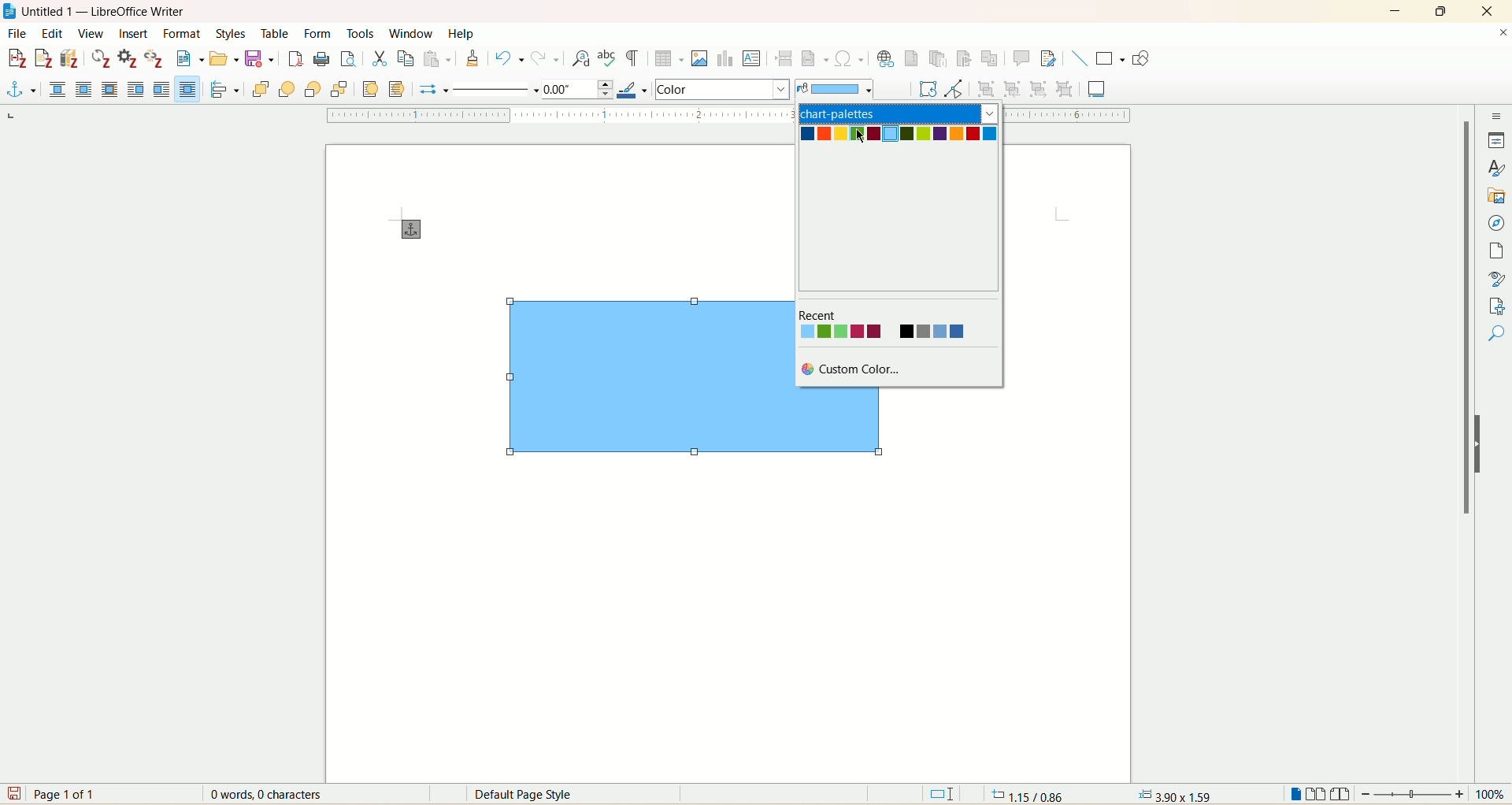 The image size is (1512, 805). What do you see at coordinates (580, 58) in the screenshot?
I see `find and replace` at bounding box center [580, 58].